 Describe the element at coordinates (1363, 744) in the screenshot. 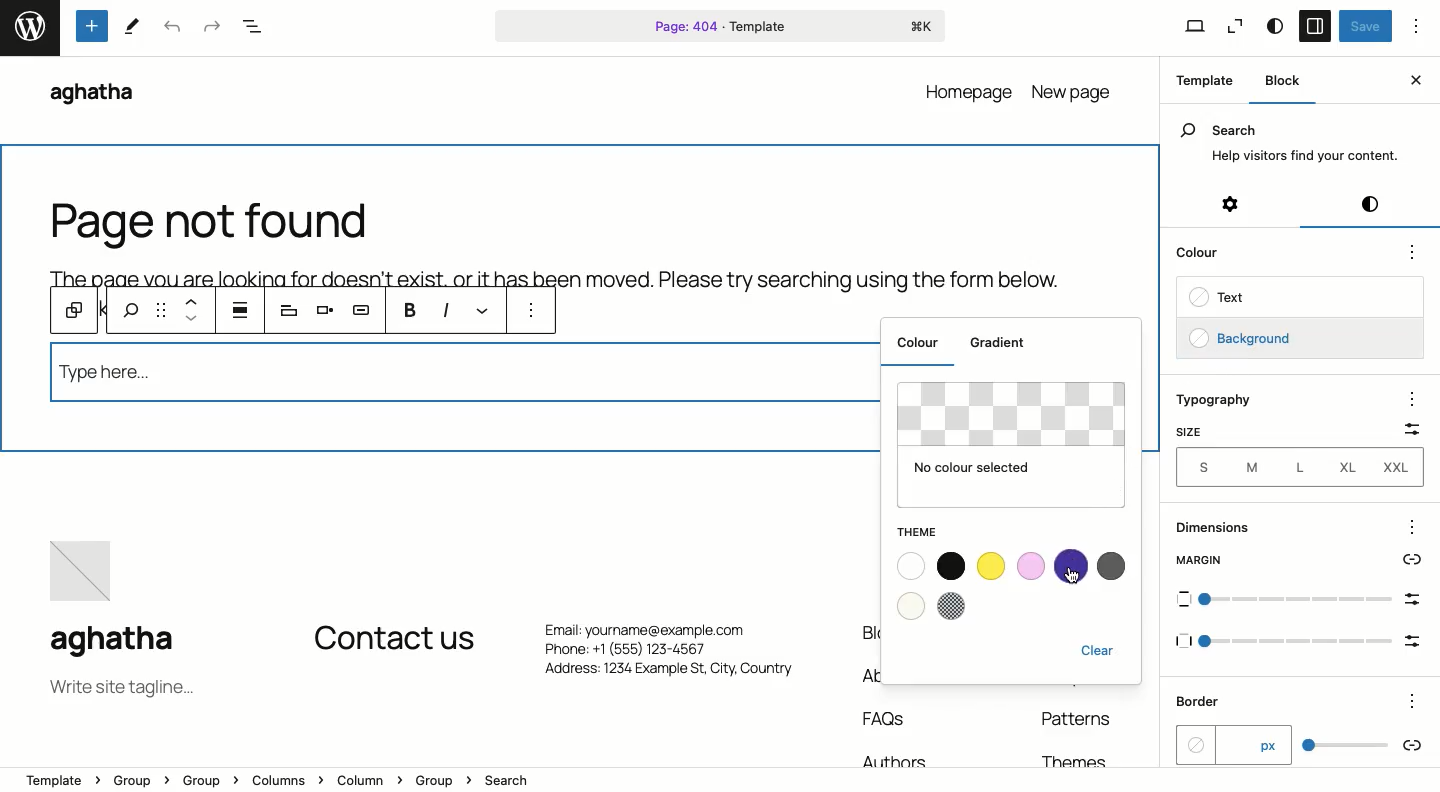

I see `scale` at that location.